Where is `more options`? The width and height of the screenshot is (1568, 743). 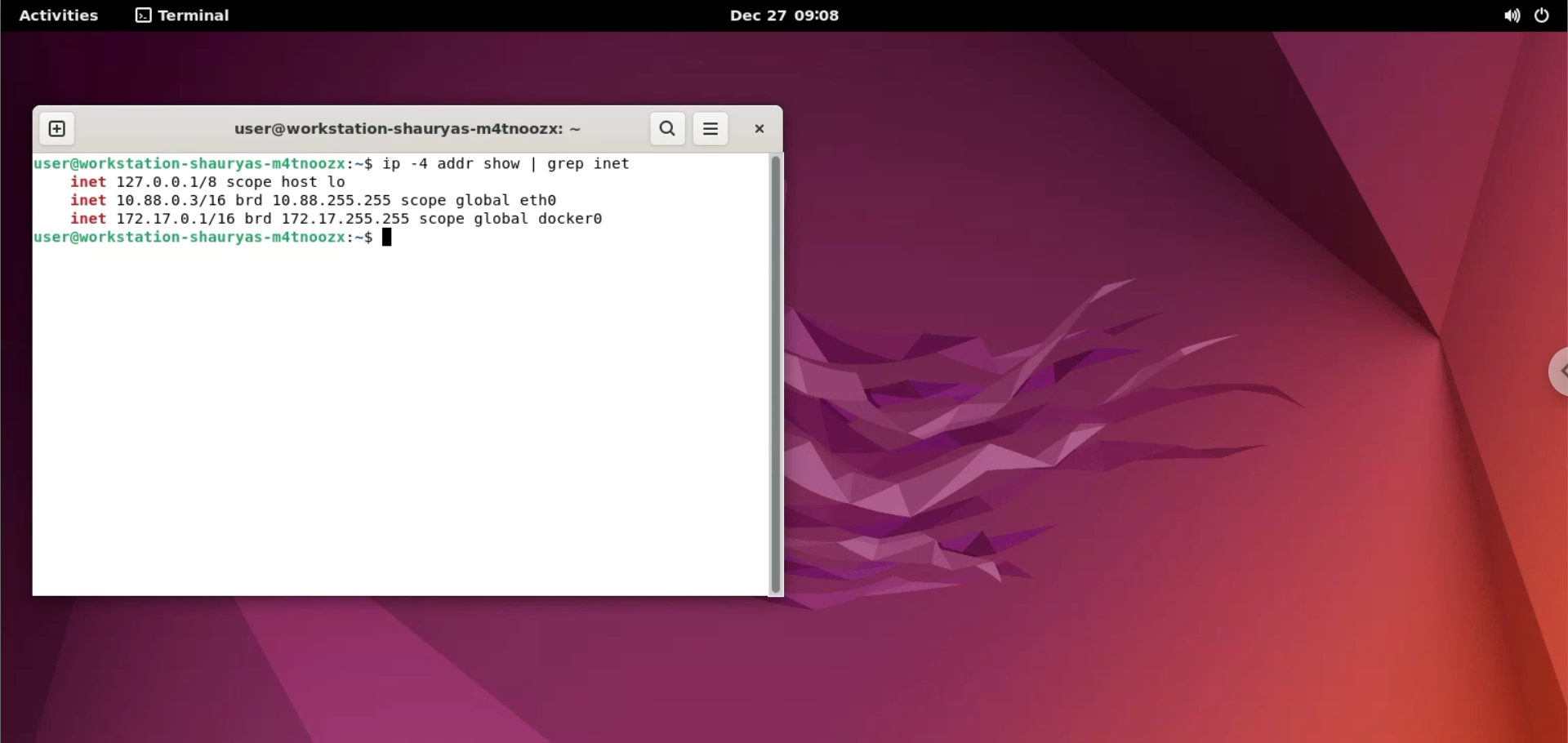 more options is located at coordinates (710, 128).